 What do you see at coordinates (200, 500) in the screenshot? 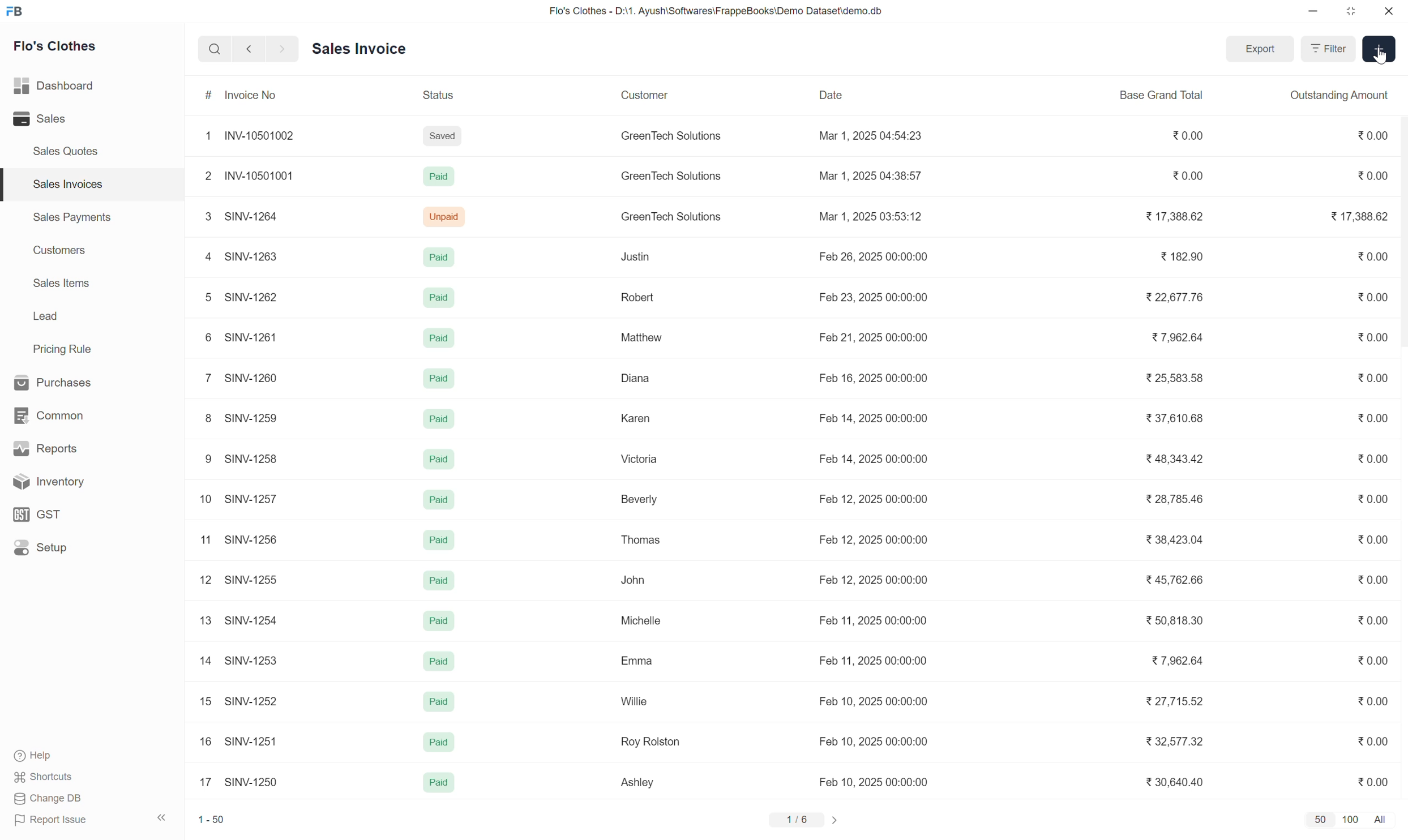
I see `10` at bounding box center [200, 500].